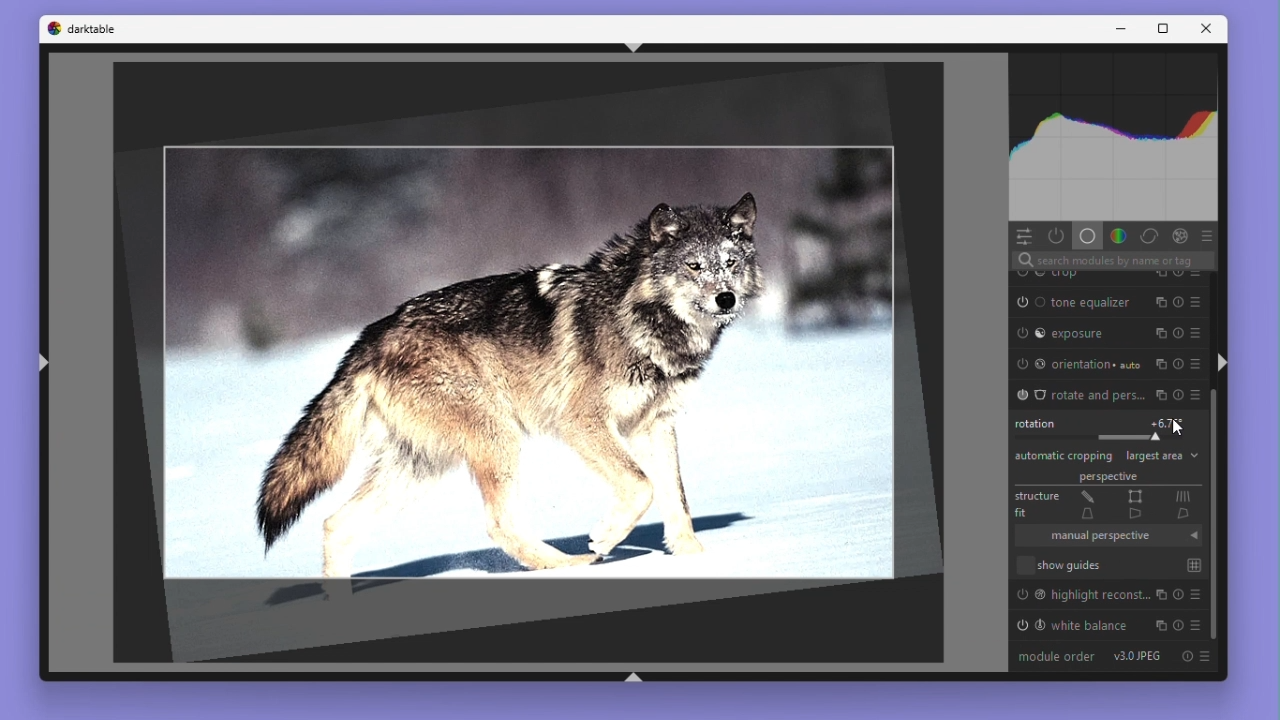  I want to click on , so click(1189, 659).